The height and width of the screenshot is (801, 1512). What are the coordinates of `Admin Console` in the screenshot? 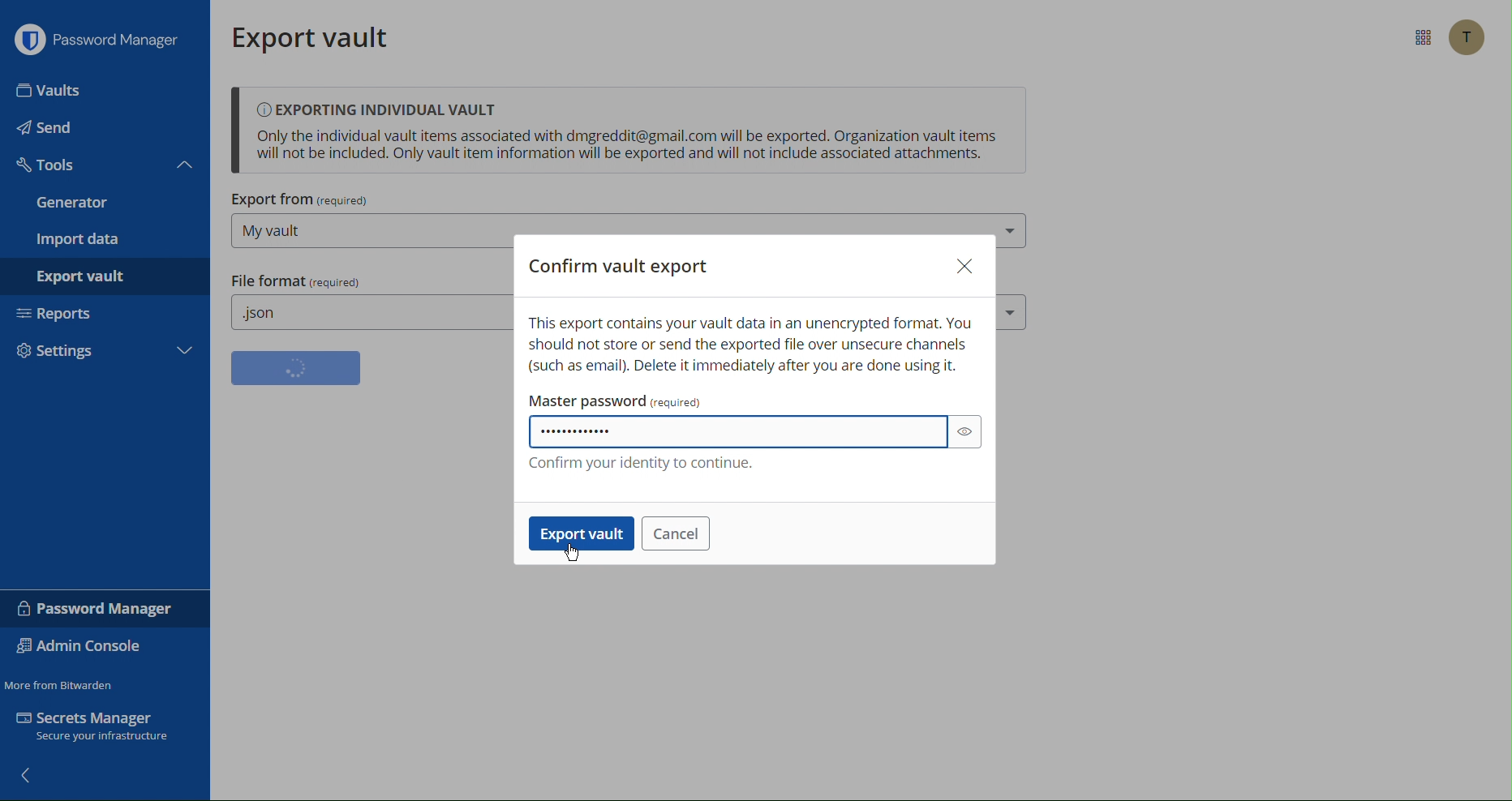 It's located at (85, 647).